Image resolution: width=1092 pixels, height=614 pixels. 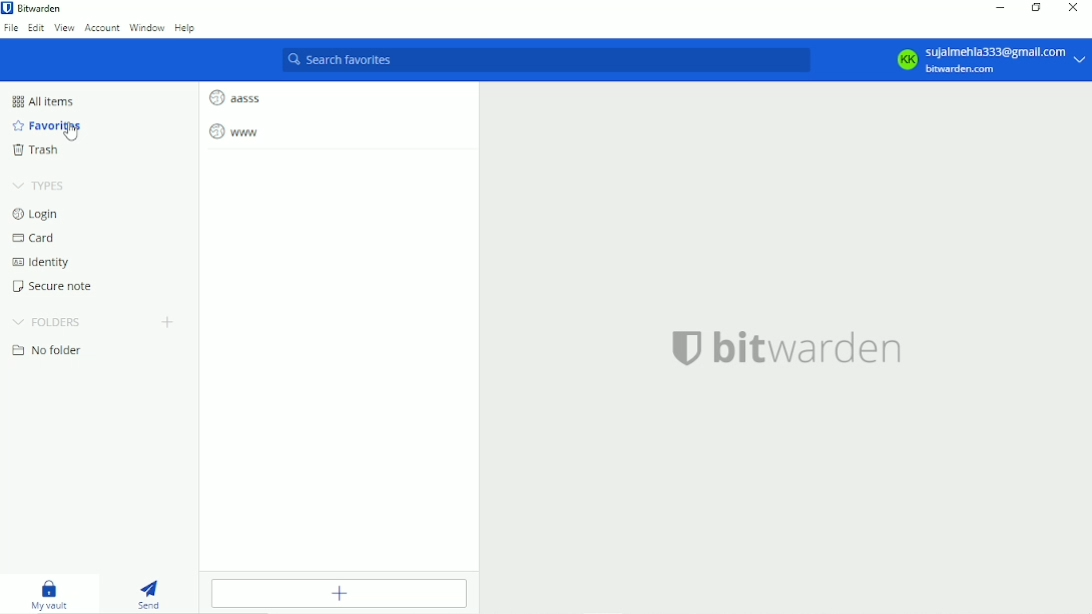 What do you see at coordinates (146, 28) in the screenshot?
I see `Window` at bounding box center [146, 28].